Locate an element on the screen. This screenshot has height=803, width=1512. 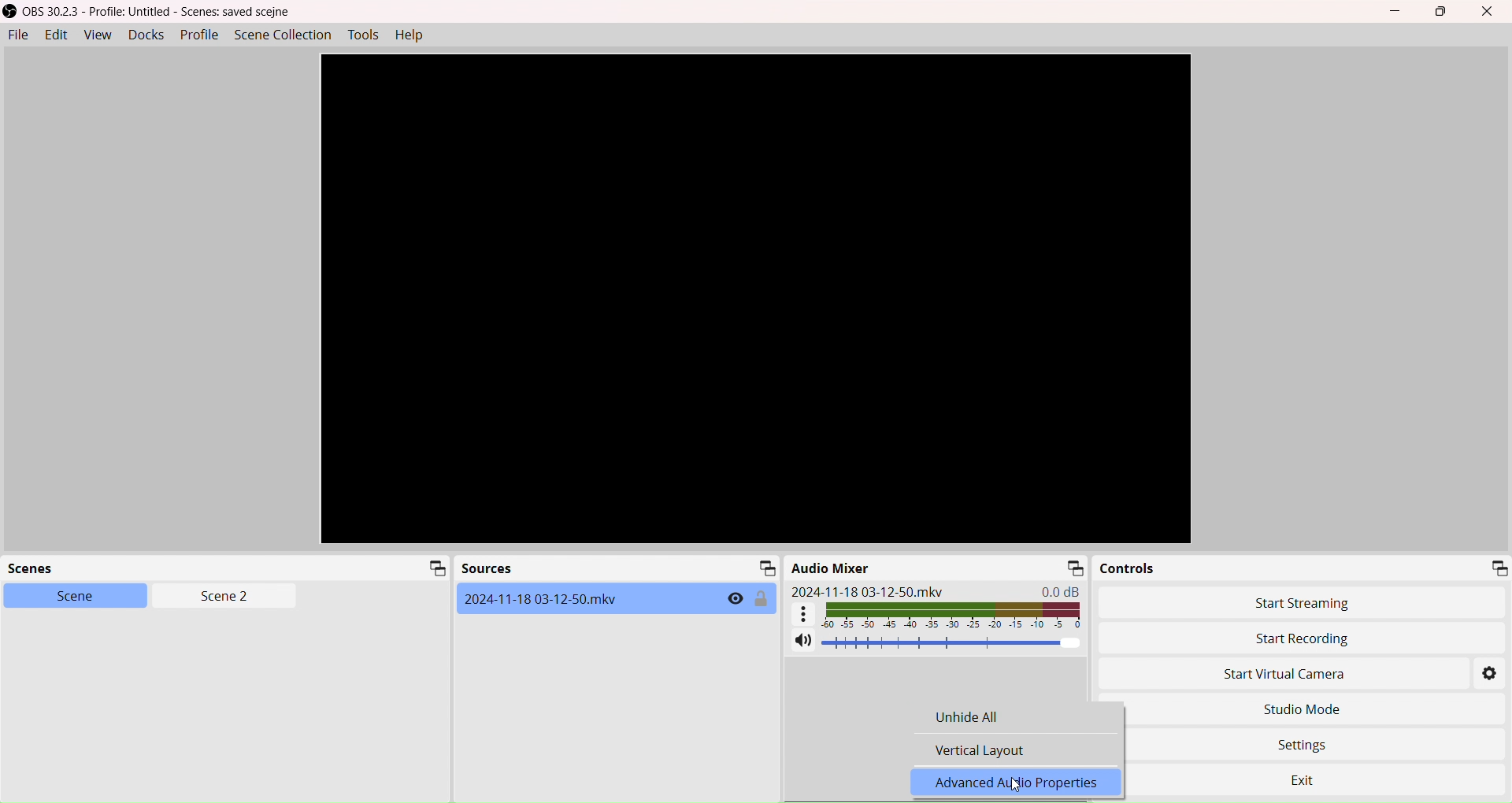
0.0 dB is located at coordinates (1064, 590).